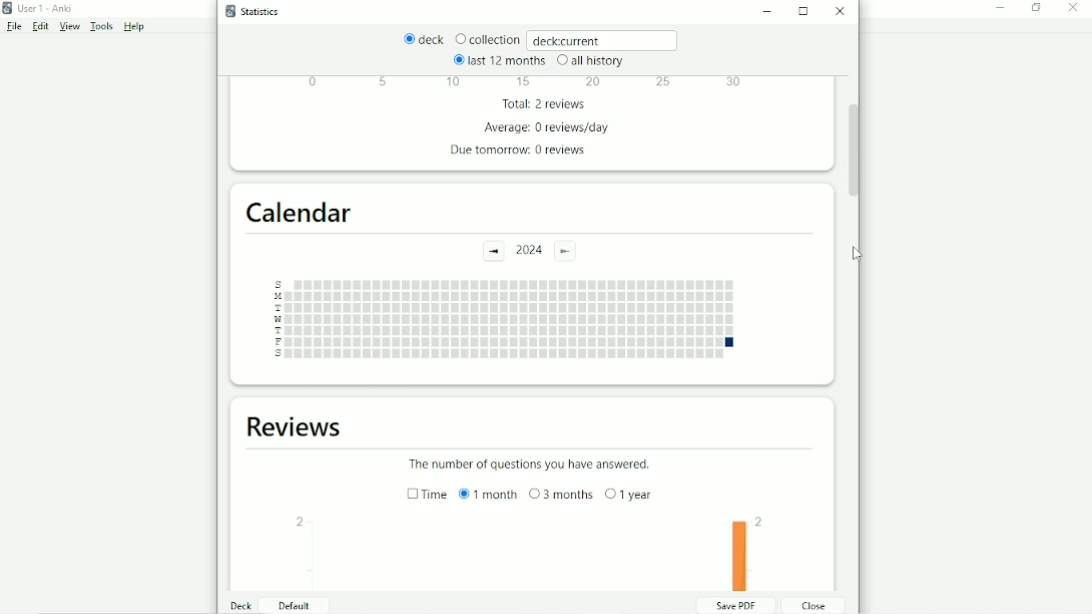  I want to click on Current, so click(575, 250).